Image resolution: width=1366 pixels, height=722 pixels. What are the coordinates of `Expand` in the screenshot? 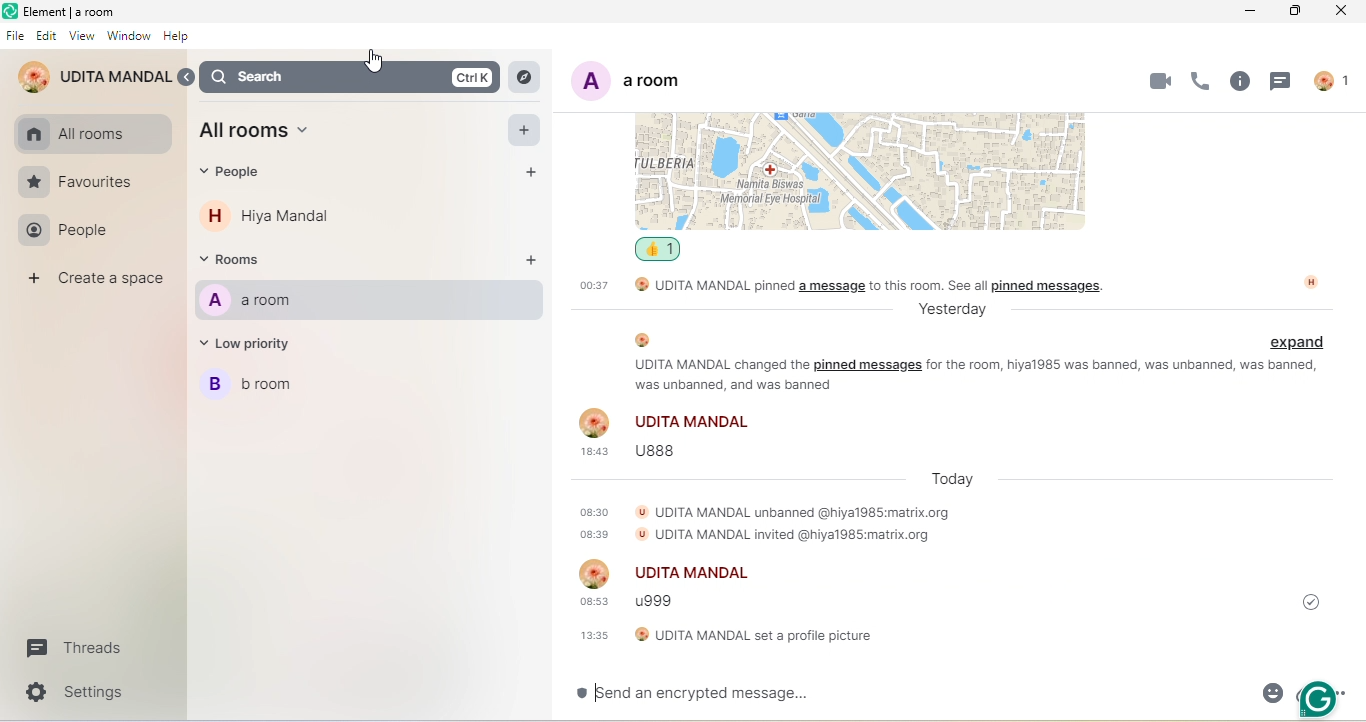 It's located at (1301, 341).